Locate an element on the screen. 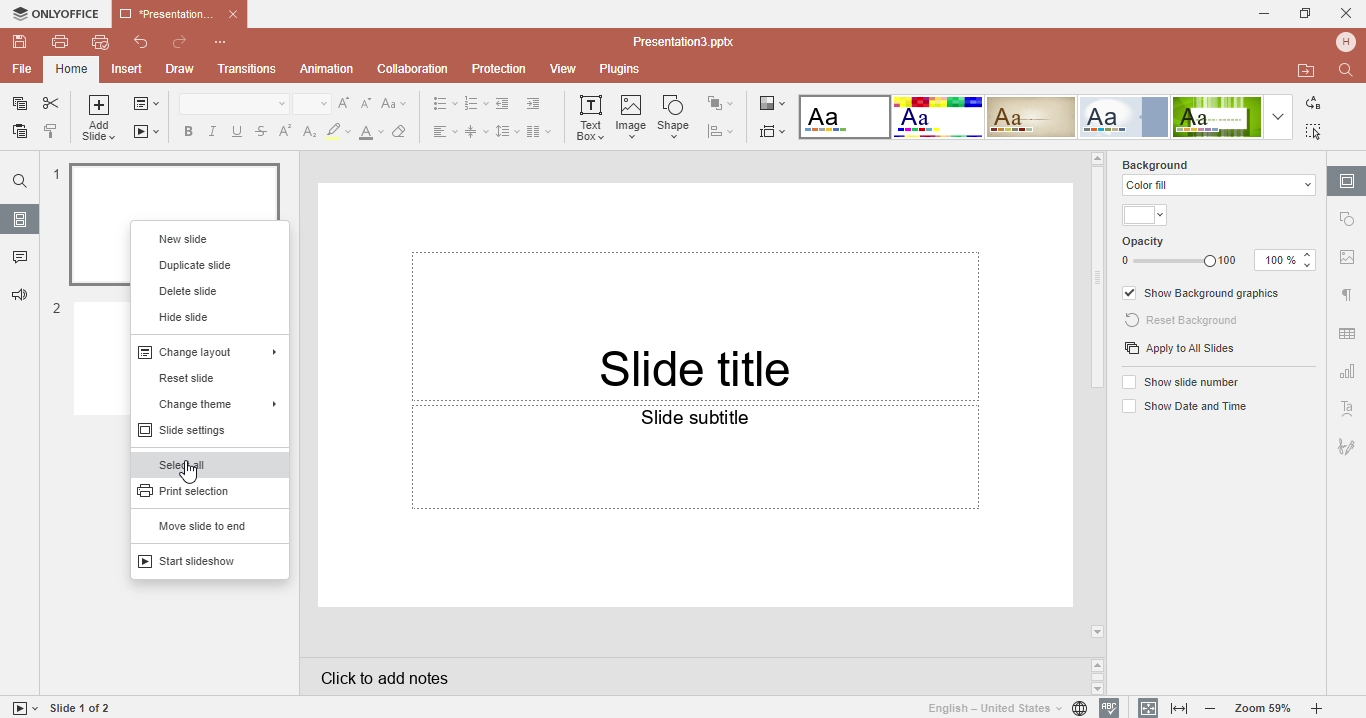 This screenshot has width=1366, height=718. Font color is located at coordinates (372, 130).